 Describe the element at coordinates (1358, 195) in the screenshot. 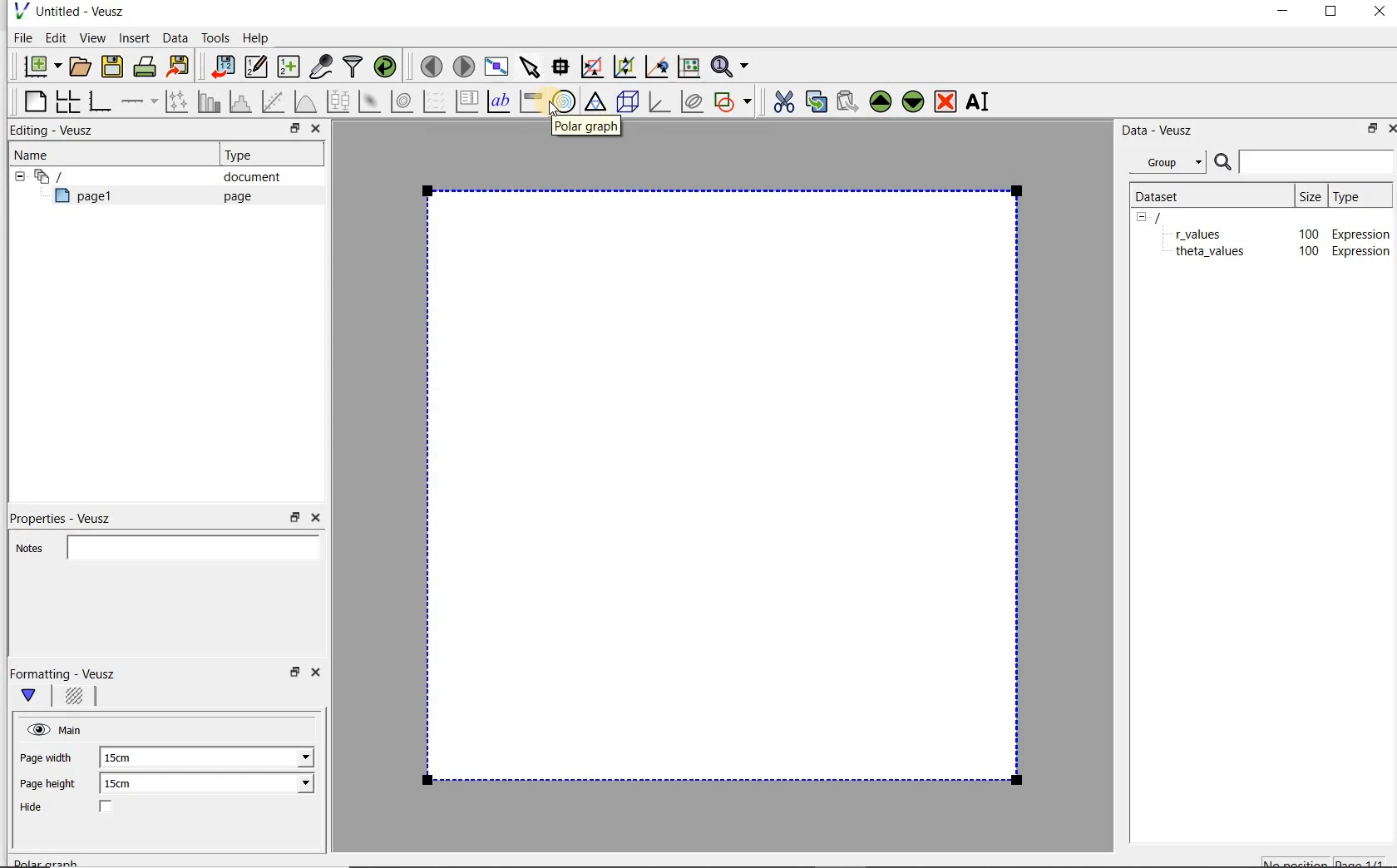

I see `Type` at that location.